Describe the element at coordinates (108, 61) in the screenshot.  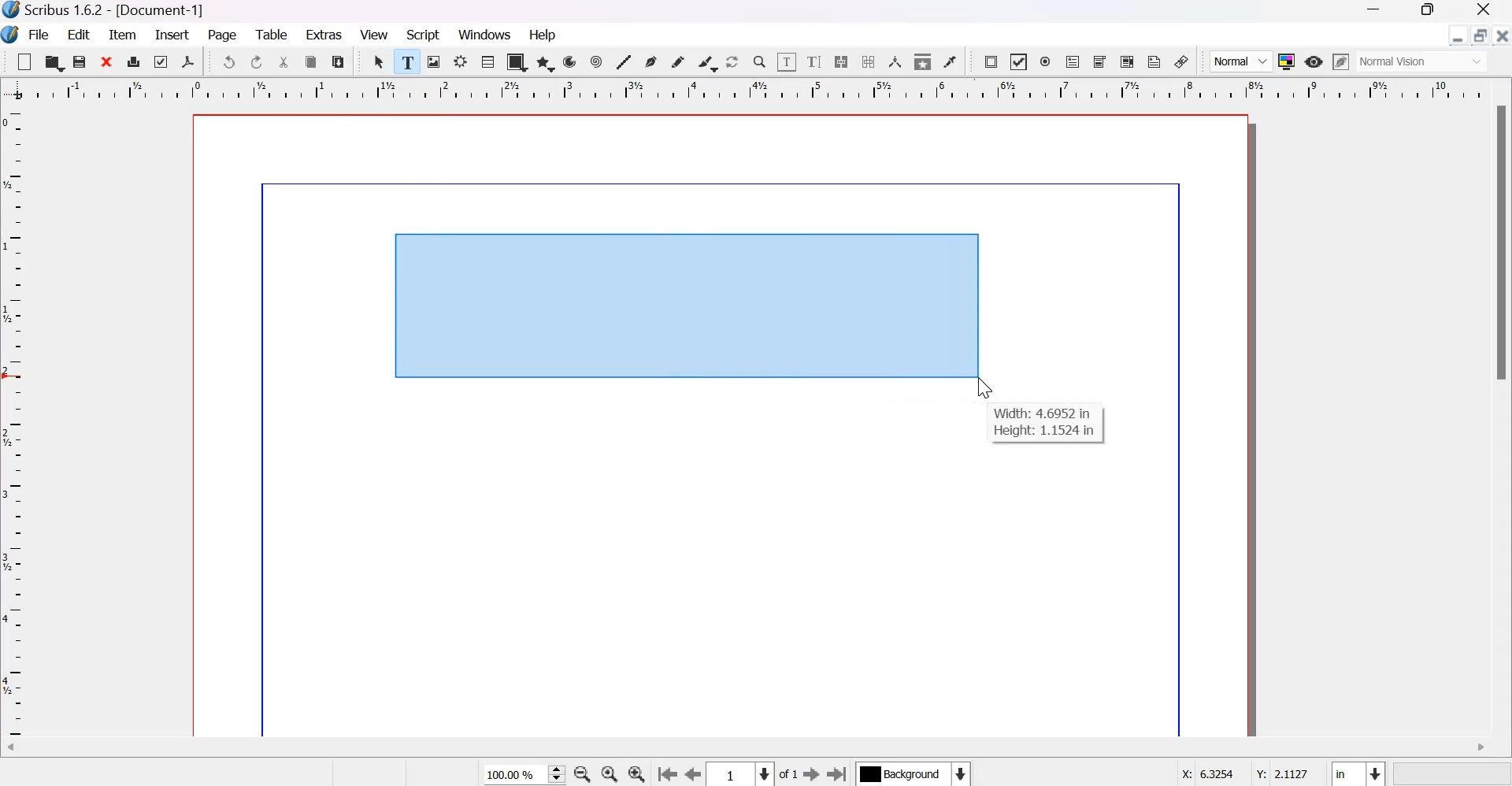
I see `close` at that location.